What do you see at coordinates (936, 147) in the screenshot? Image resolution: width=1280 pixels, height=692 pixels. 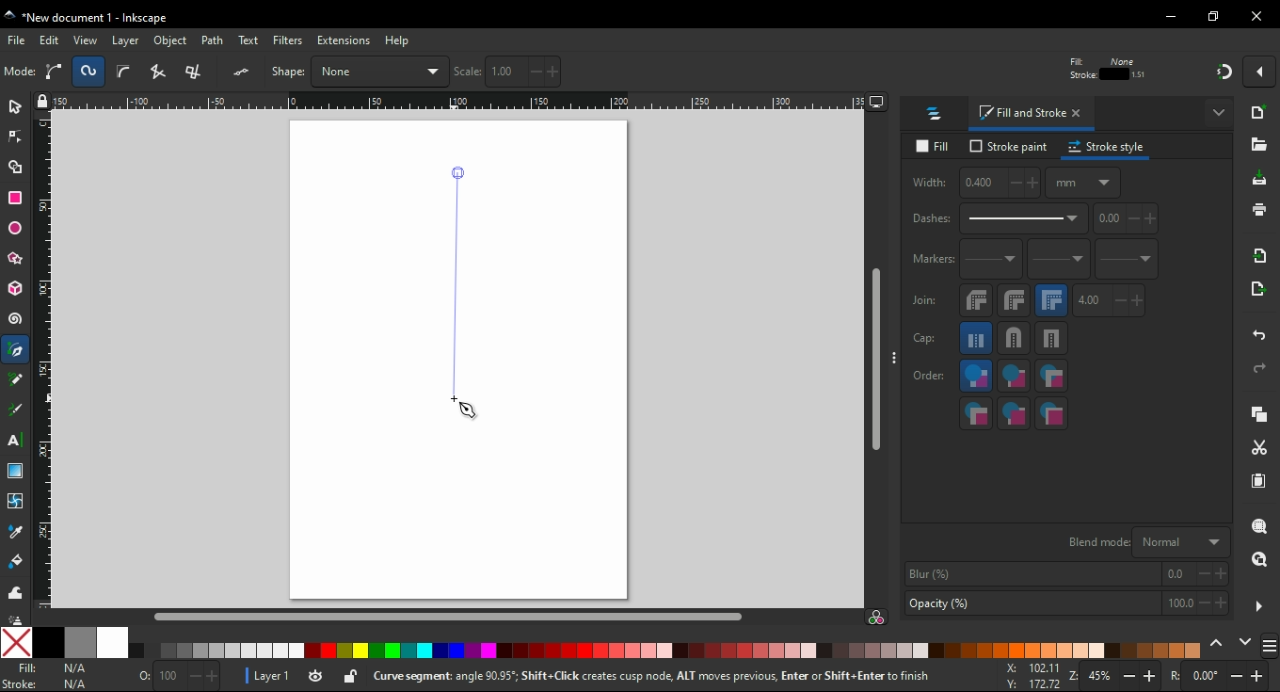 I see `fill` at bounding box center [936, 147].